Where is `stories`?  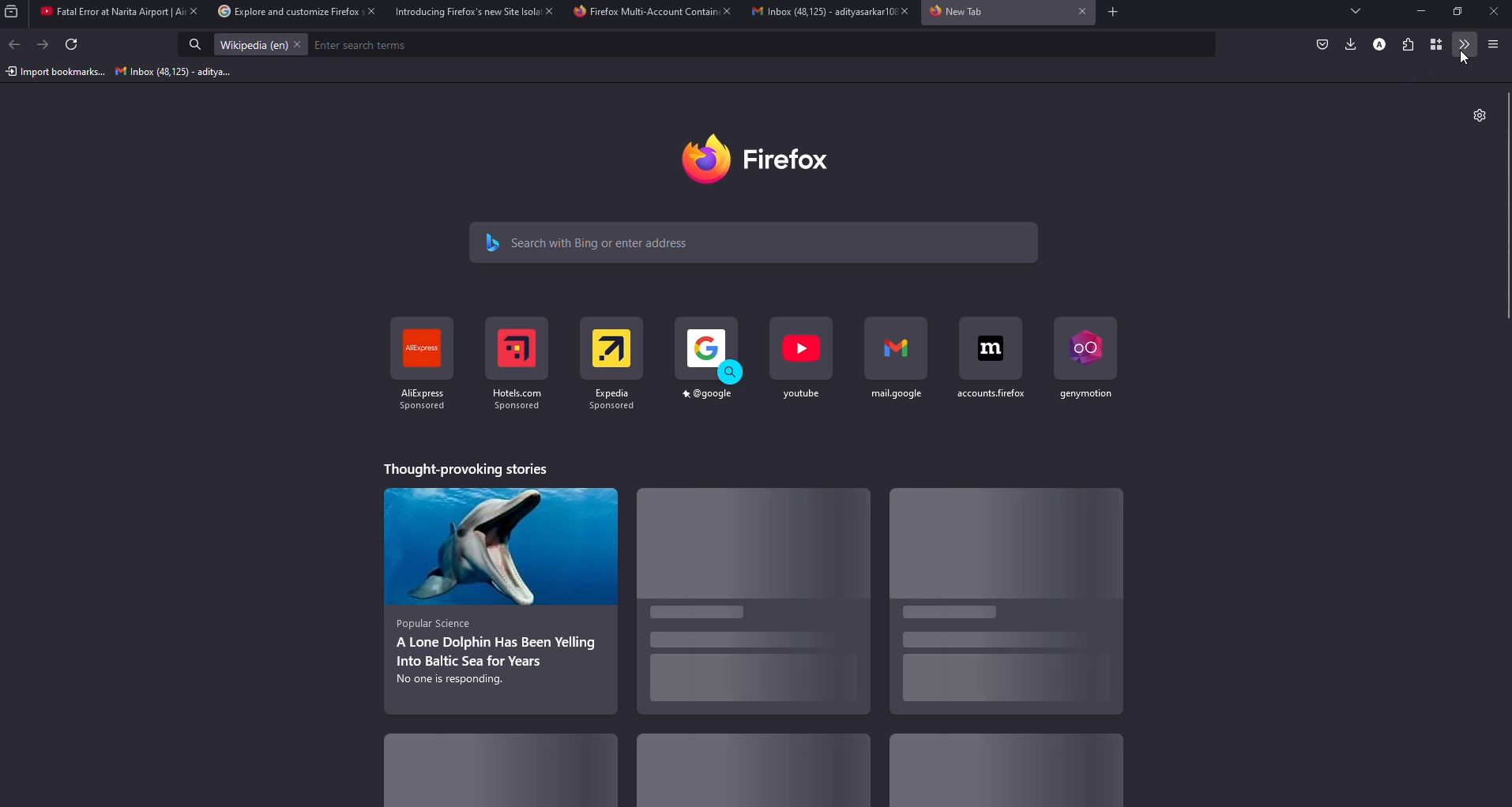 stories is located at coordinates (504, 766).